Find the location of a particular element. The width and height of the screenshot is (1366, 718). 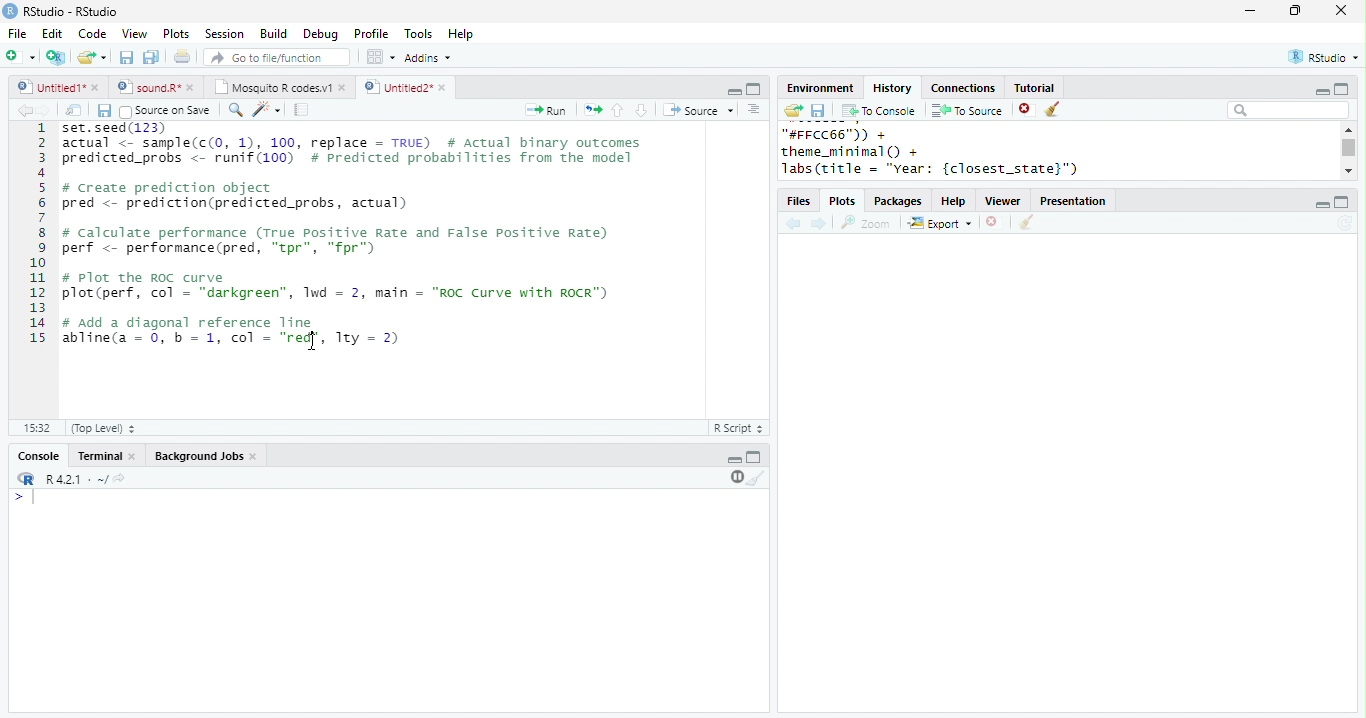

maximize is located at coordinates (1340, 88).